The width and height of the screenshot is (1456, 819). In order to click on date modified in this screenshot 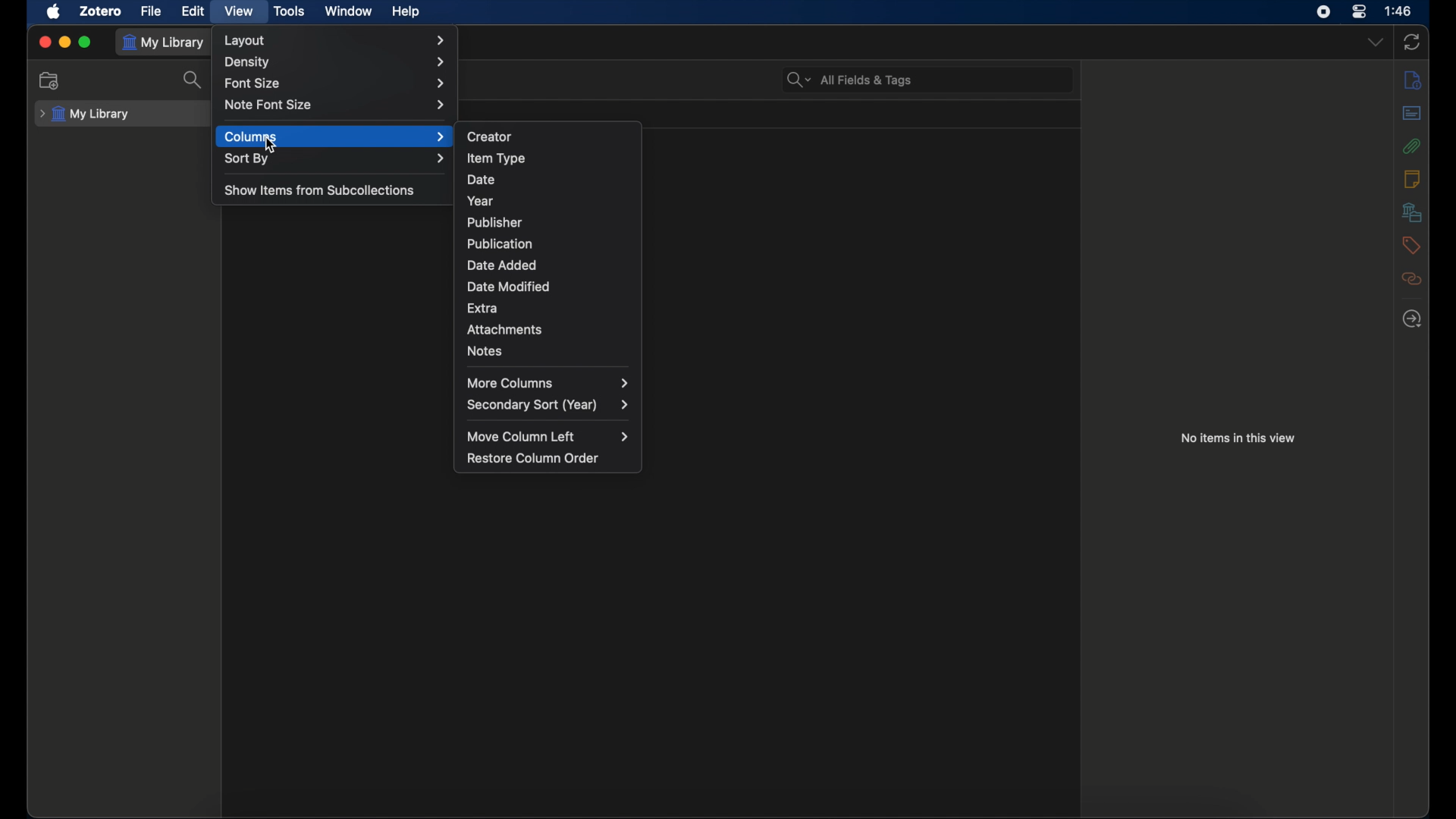, I will do `click(508, 287)`.